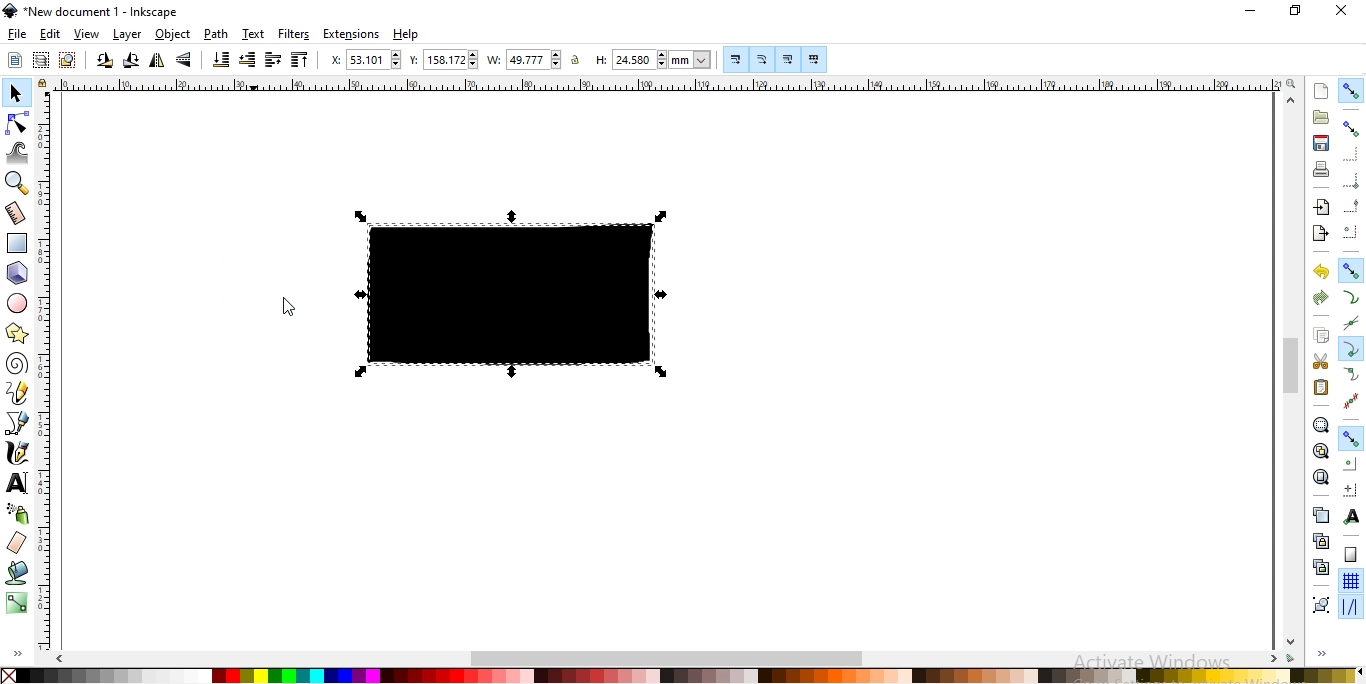  I want to click on select and transform objects, so click(17, 93).